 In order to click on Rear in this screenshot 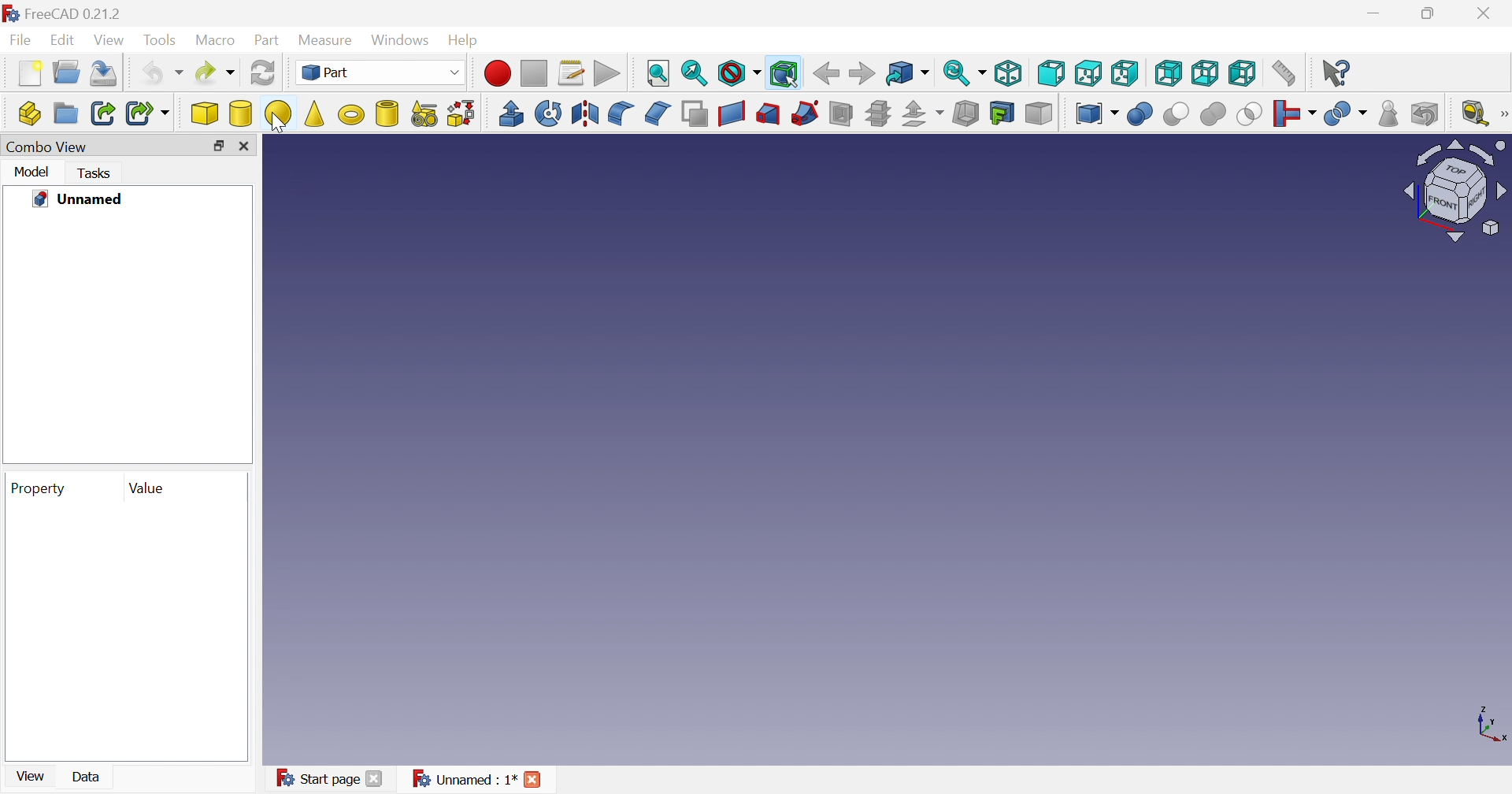, I will do `click(1168, 74)`.